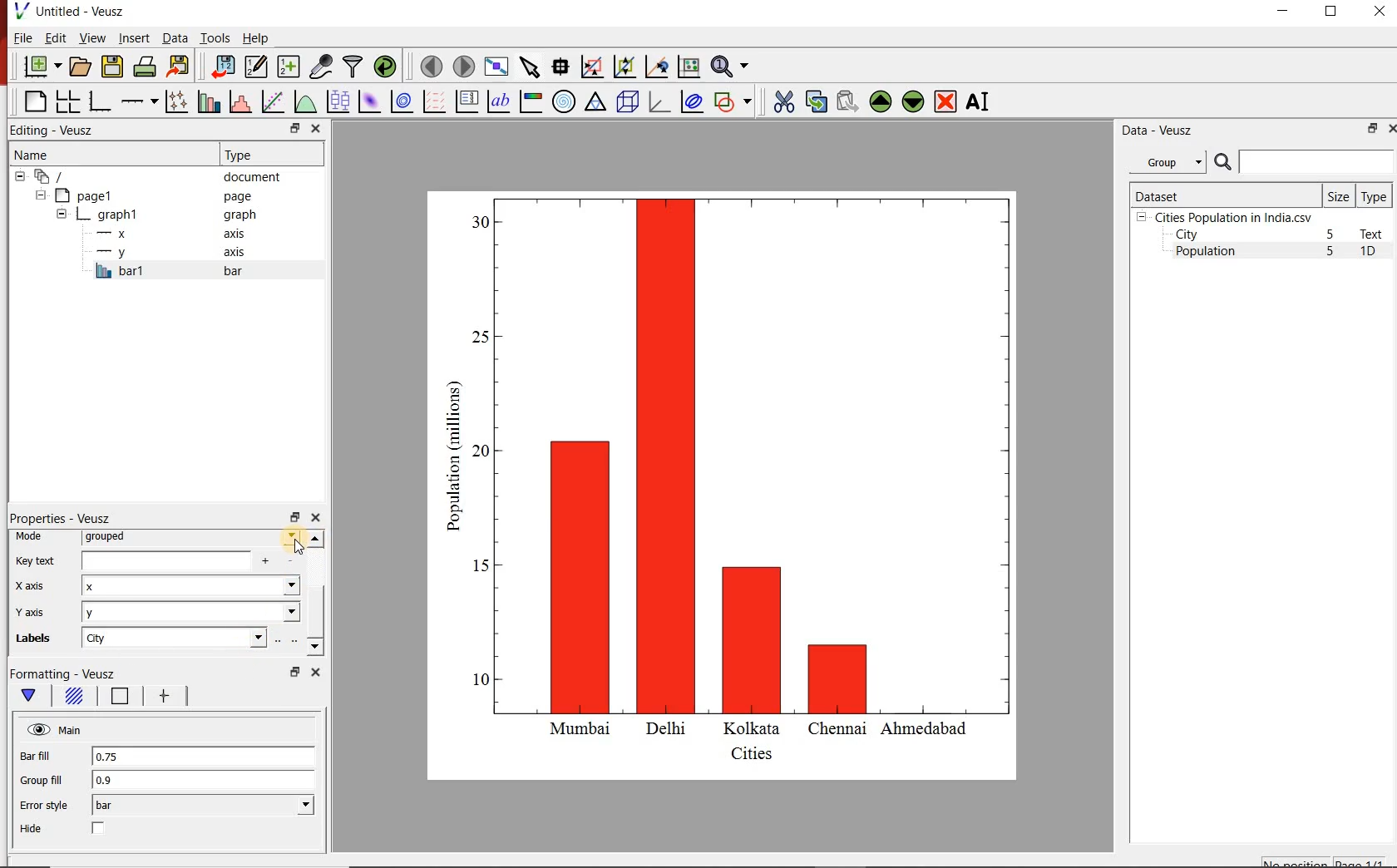 This screenshot has height=868, width=1397. What do you see at coordinates (466, 101) in the screenshot?
I see `plot key` at bounding box center [466, 101].